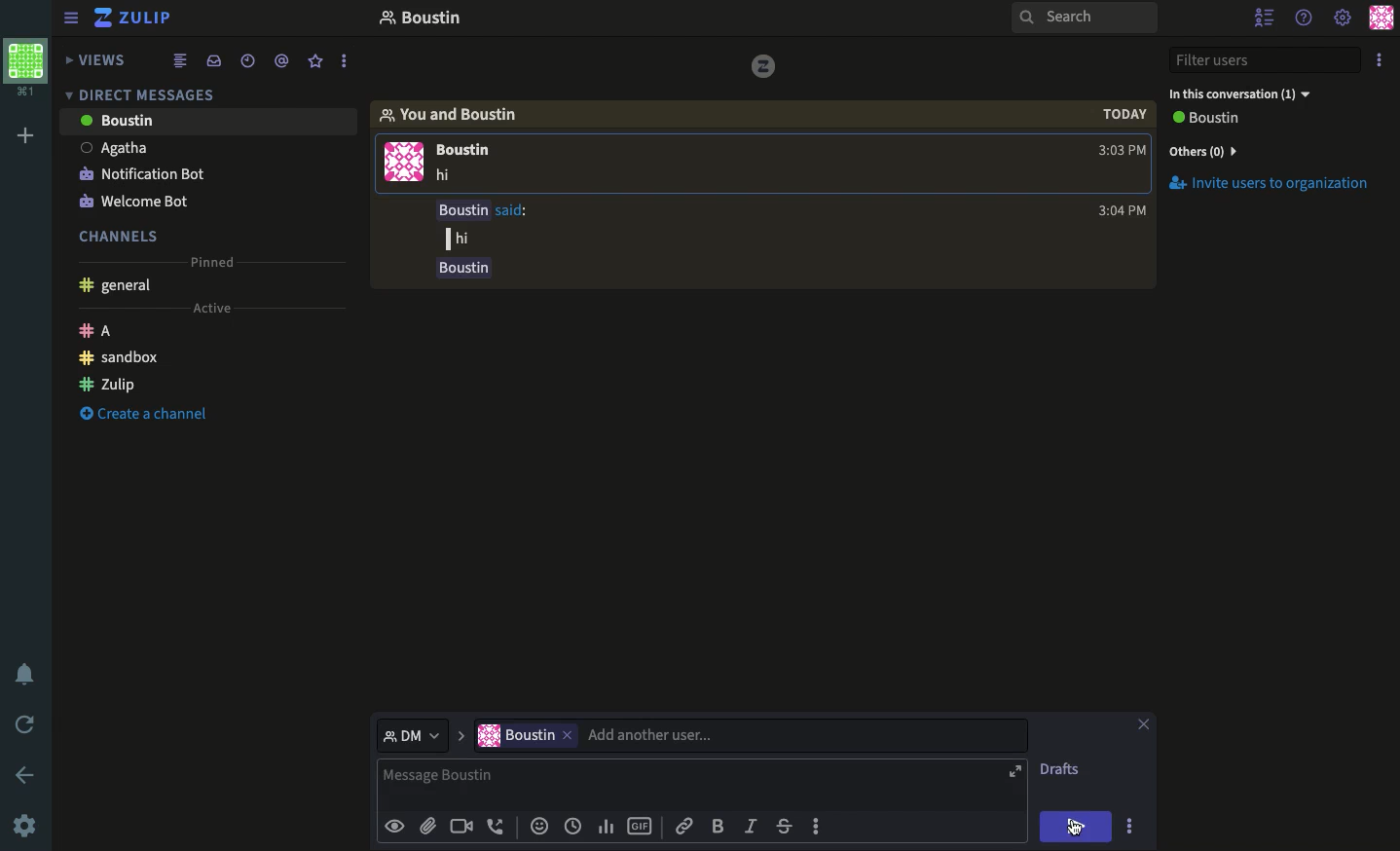 This screenshot has height=851, width=1400. I want to click on In this conversation, so click(1254, 92).